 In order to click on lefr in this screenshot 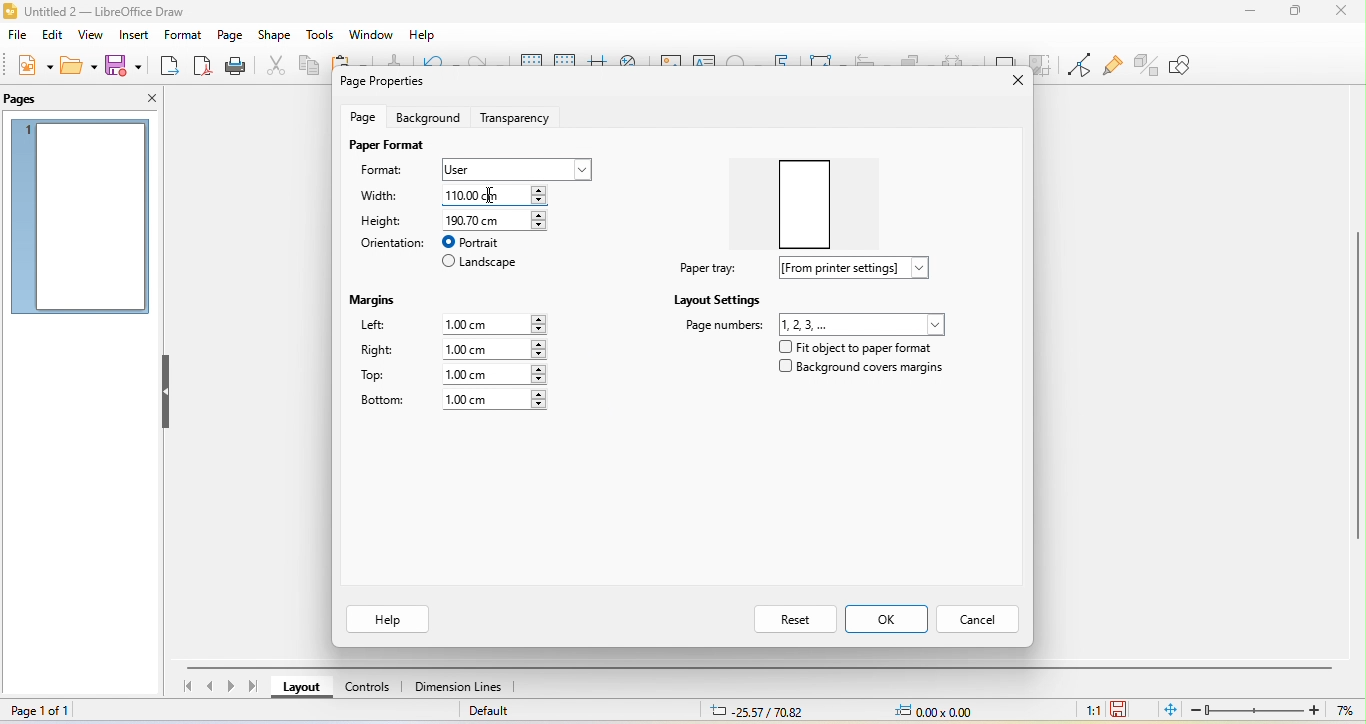, I will do `click(386, 327)`.